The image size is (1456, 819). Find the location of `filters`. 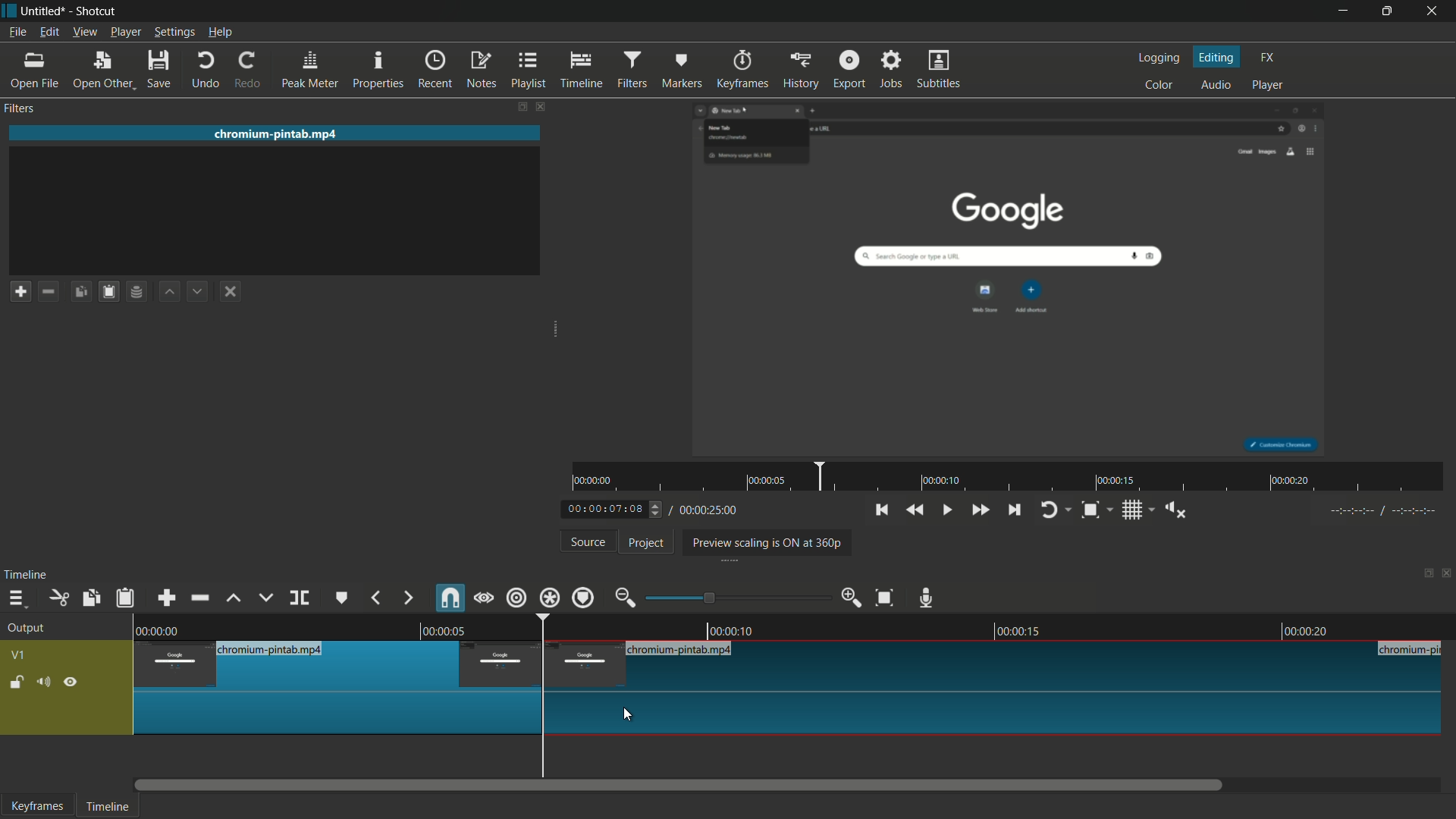

filters is located at coordinates (18, 108).